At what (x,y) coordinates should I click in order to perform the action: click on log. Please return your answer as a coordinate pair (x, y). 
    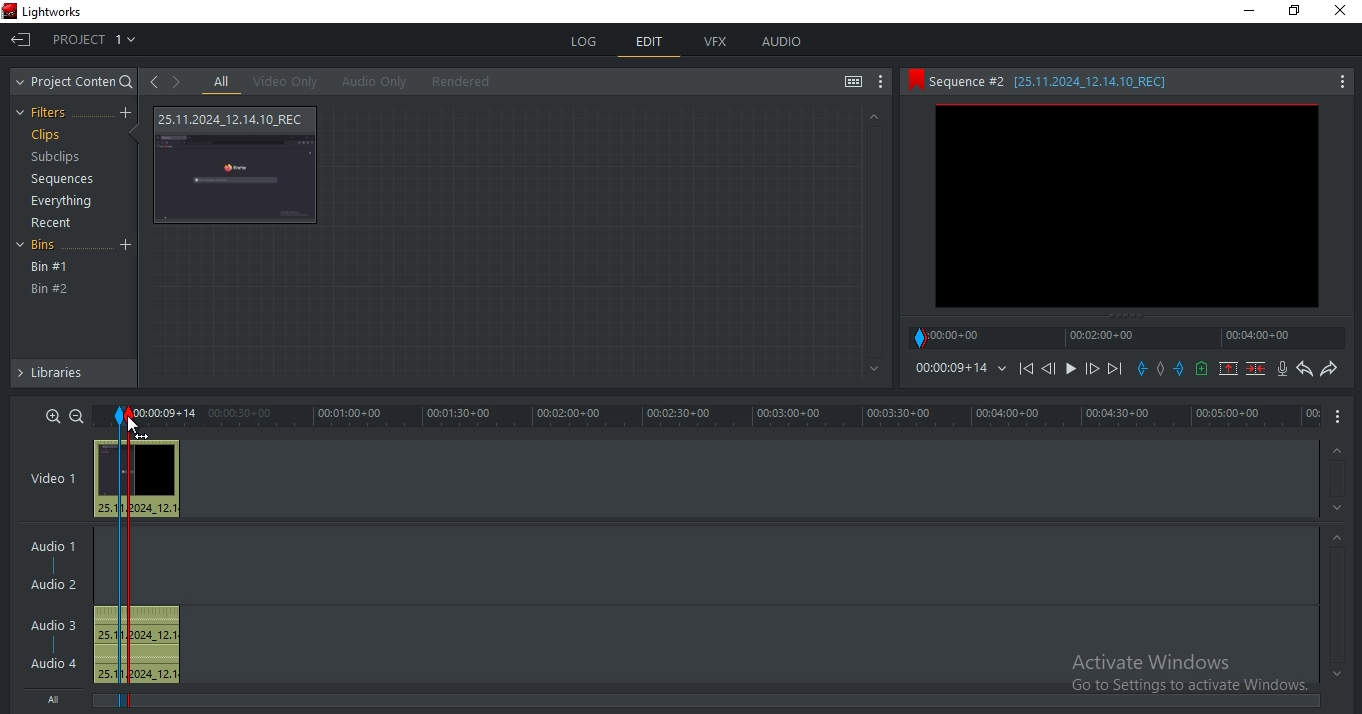
    Looking at the image, I should click on (586, 42).